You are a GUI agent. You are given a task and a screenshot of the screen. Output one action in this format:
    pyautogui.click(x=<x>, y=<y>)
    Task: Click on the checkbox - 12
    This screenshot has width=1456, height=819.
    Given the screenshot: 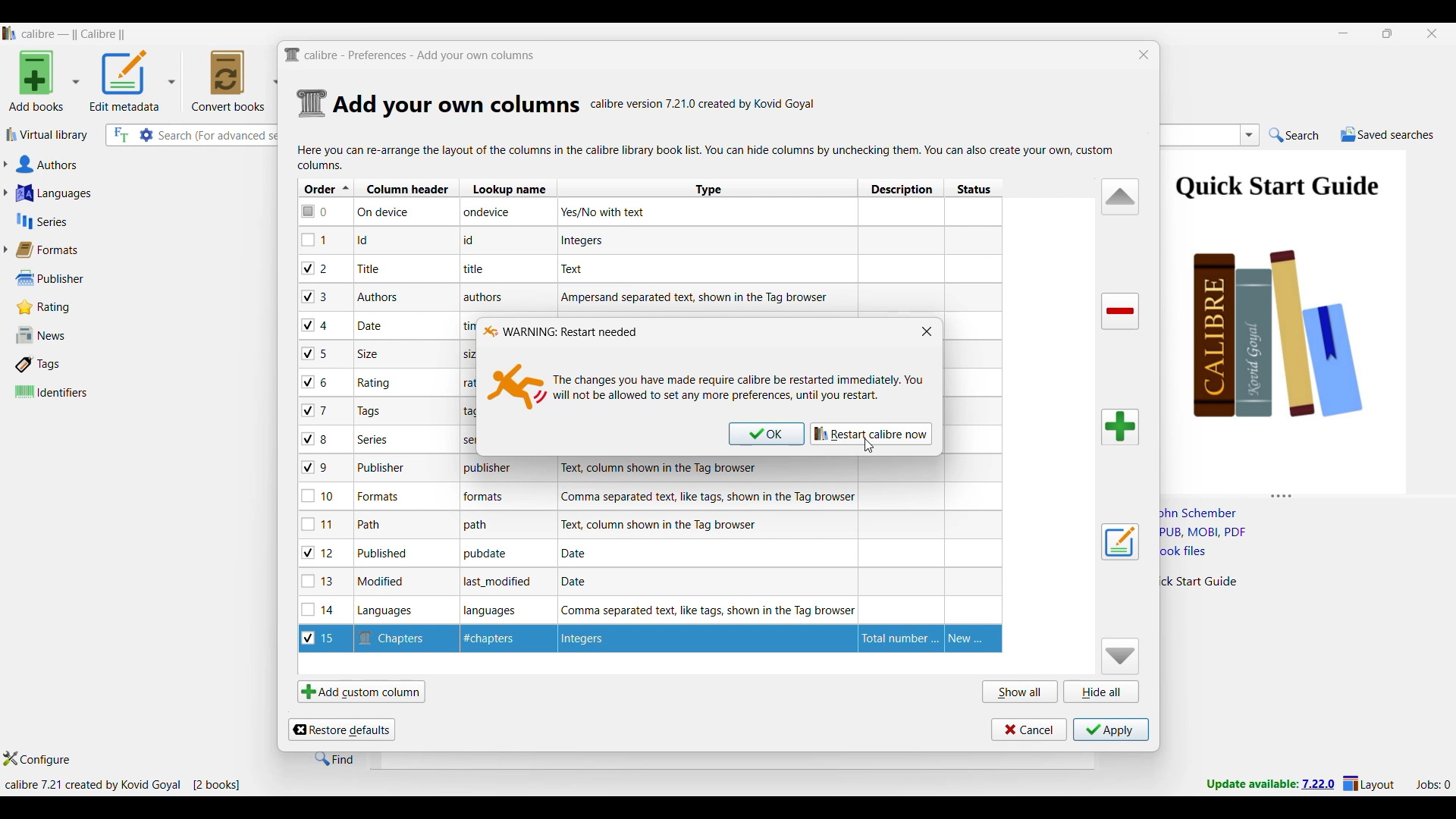 What is the action you would take?
    pyautogui.click(x=320, y=552)
    